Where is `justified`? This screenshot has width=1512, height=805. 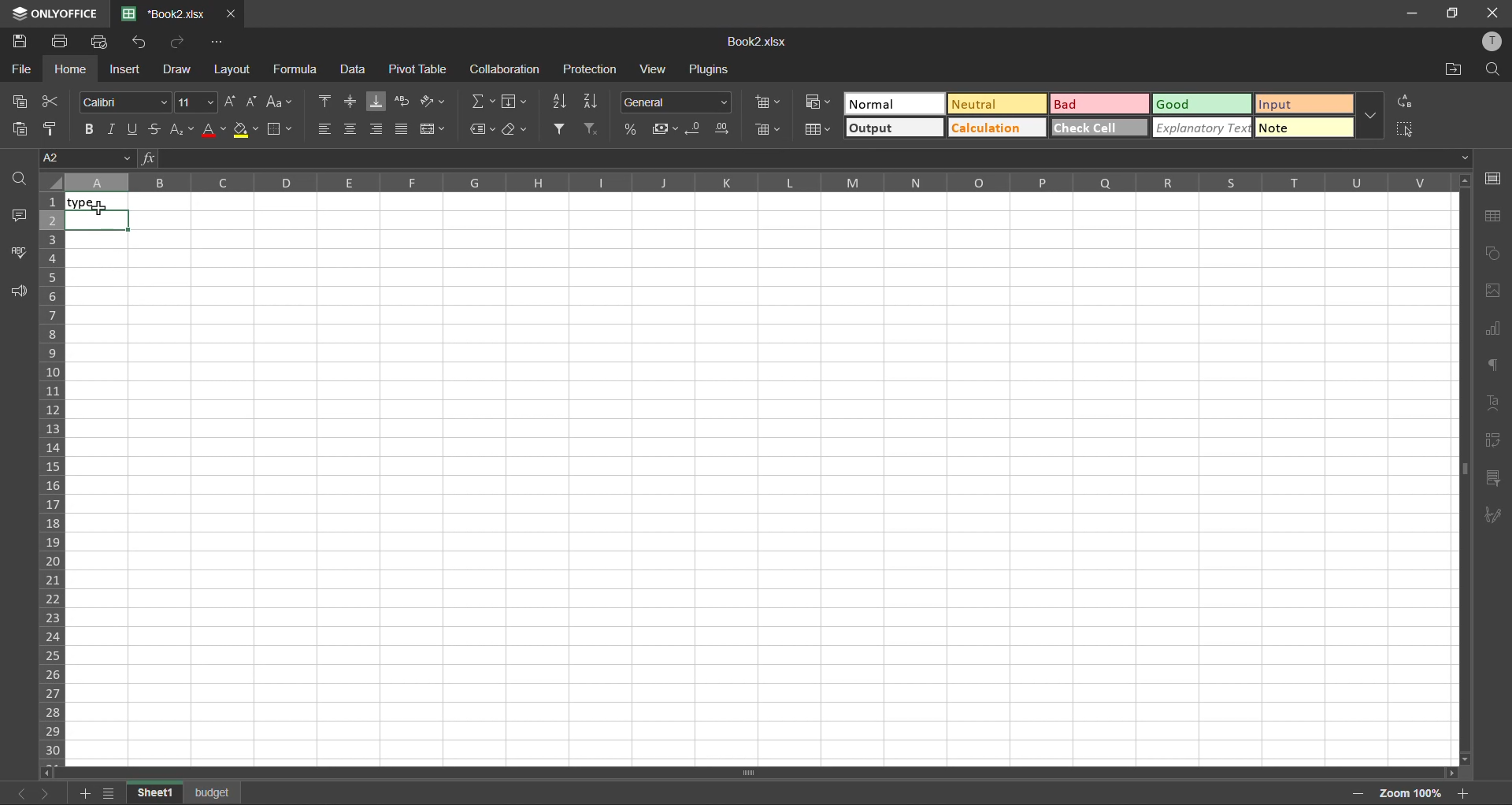
justified is located at coordinates (403, 128).